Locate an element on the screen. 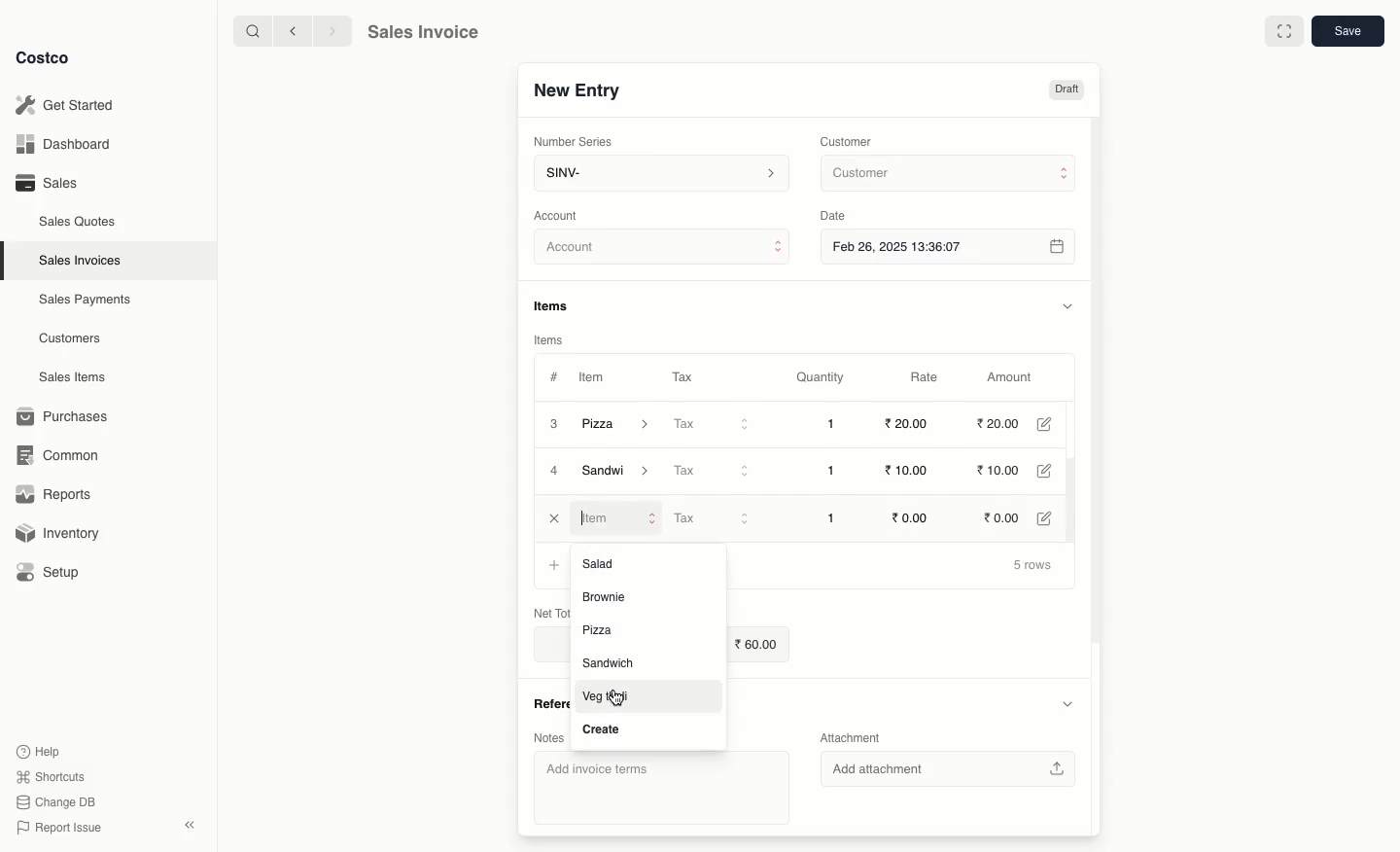 The height and width of the screenshot is (852, 1400). Net Total is located at coordinates (540, 611).